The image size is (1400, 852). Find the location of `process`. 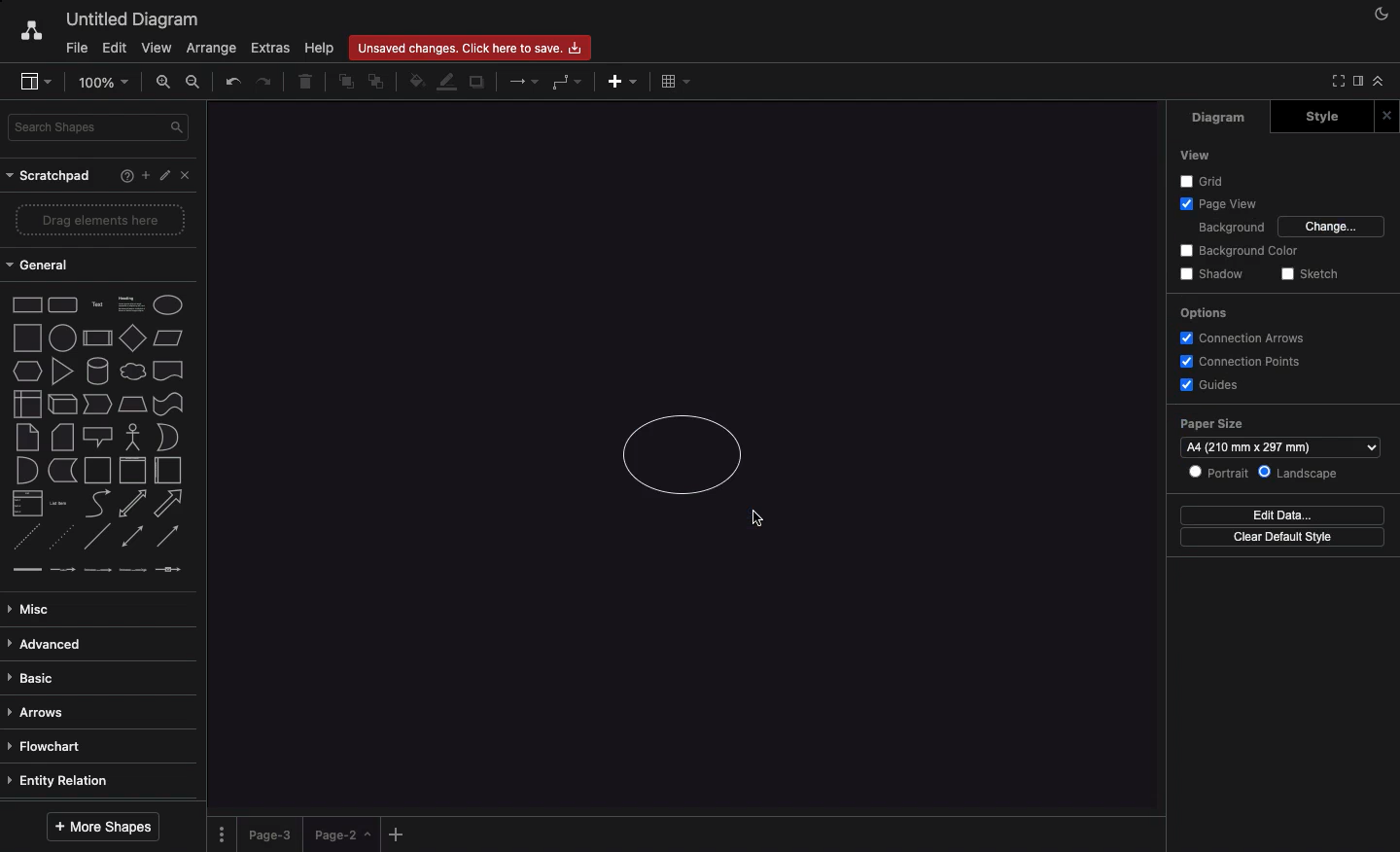

process is located at coordinates (97, 338).